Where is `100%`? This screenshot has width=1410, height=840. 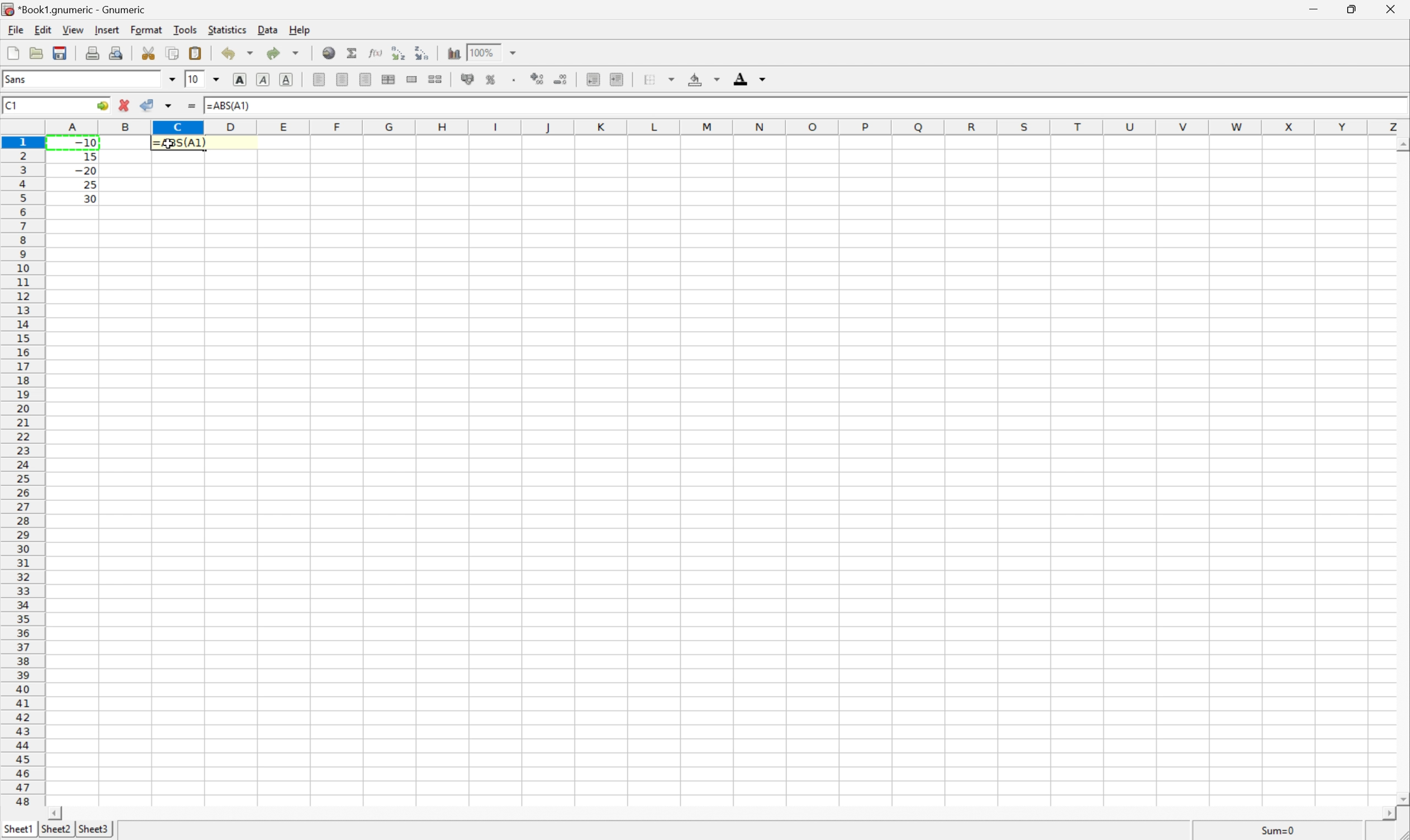
100% is located at coordinates (484, 52).